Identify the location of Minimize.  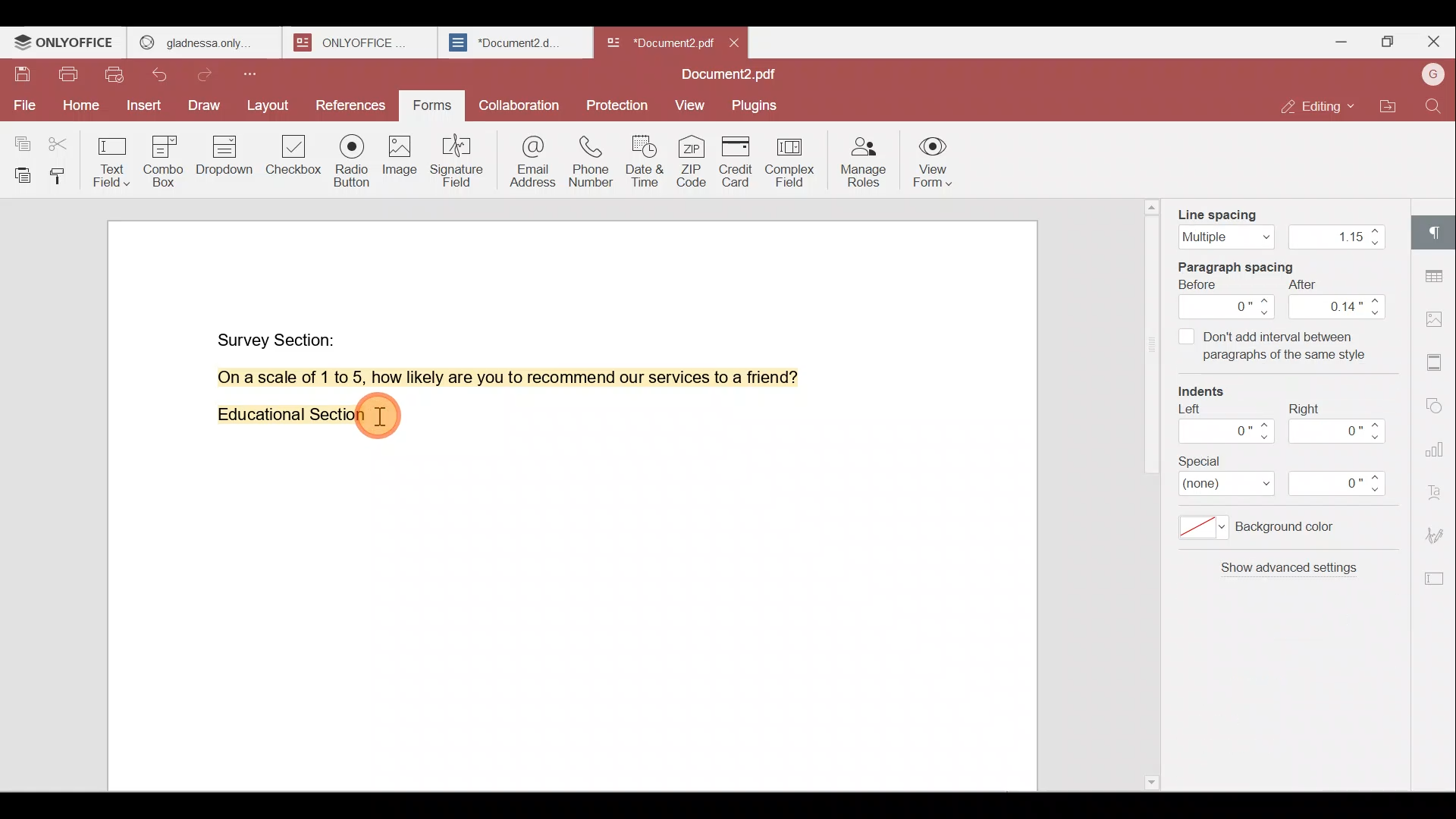
(1337, 40).